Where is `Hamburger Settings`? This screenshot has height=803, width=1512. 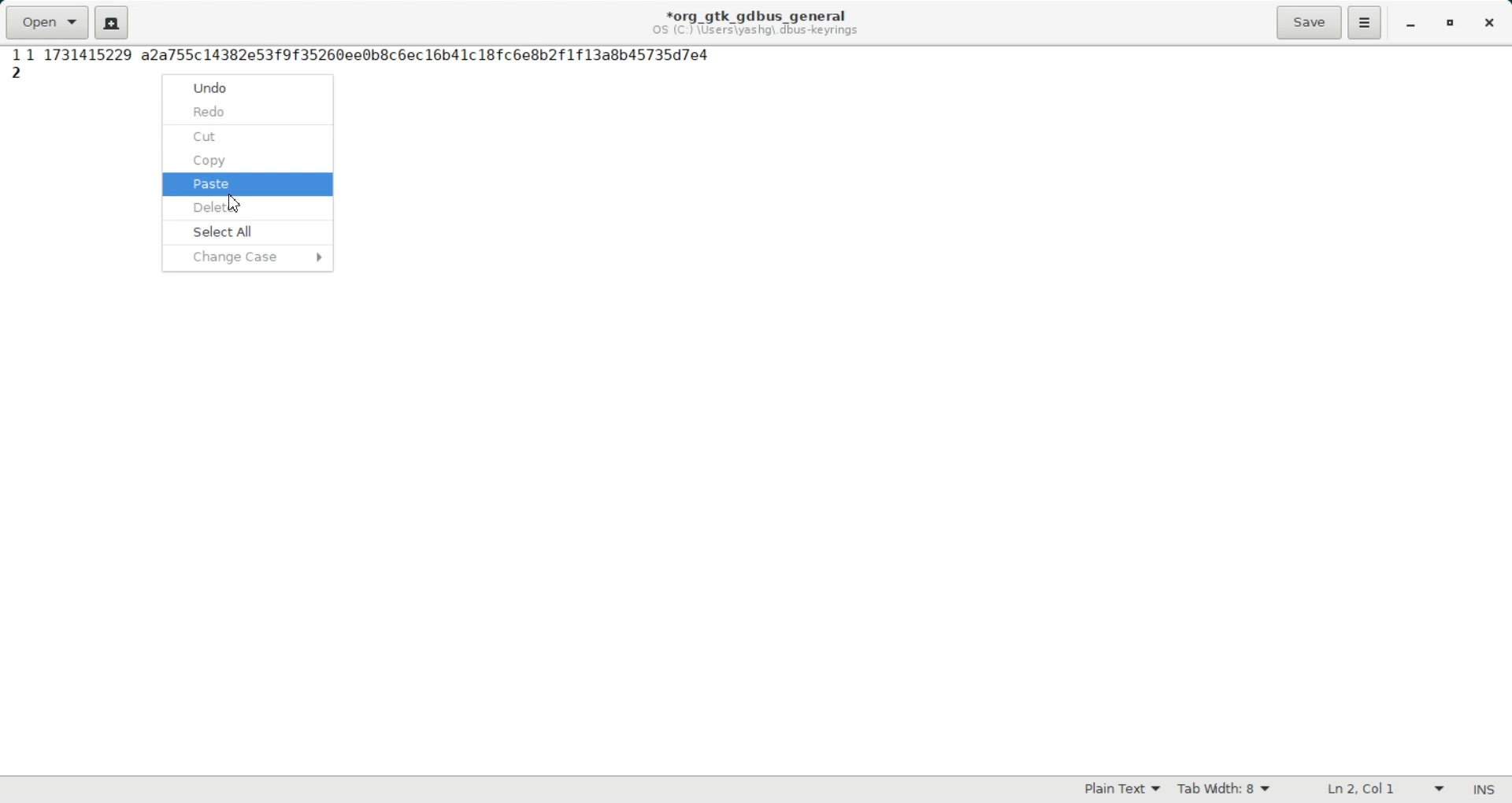 Hamburger Settings is located at coordinates (1365, 22).